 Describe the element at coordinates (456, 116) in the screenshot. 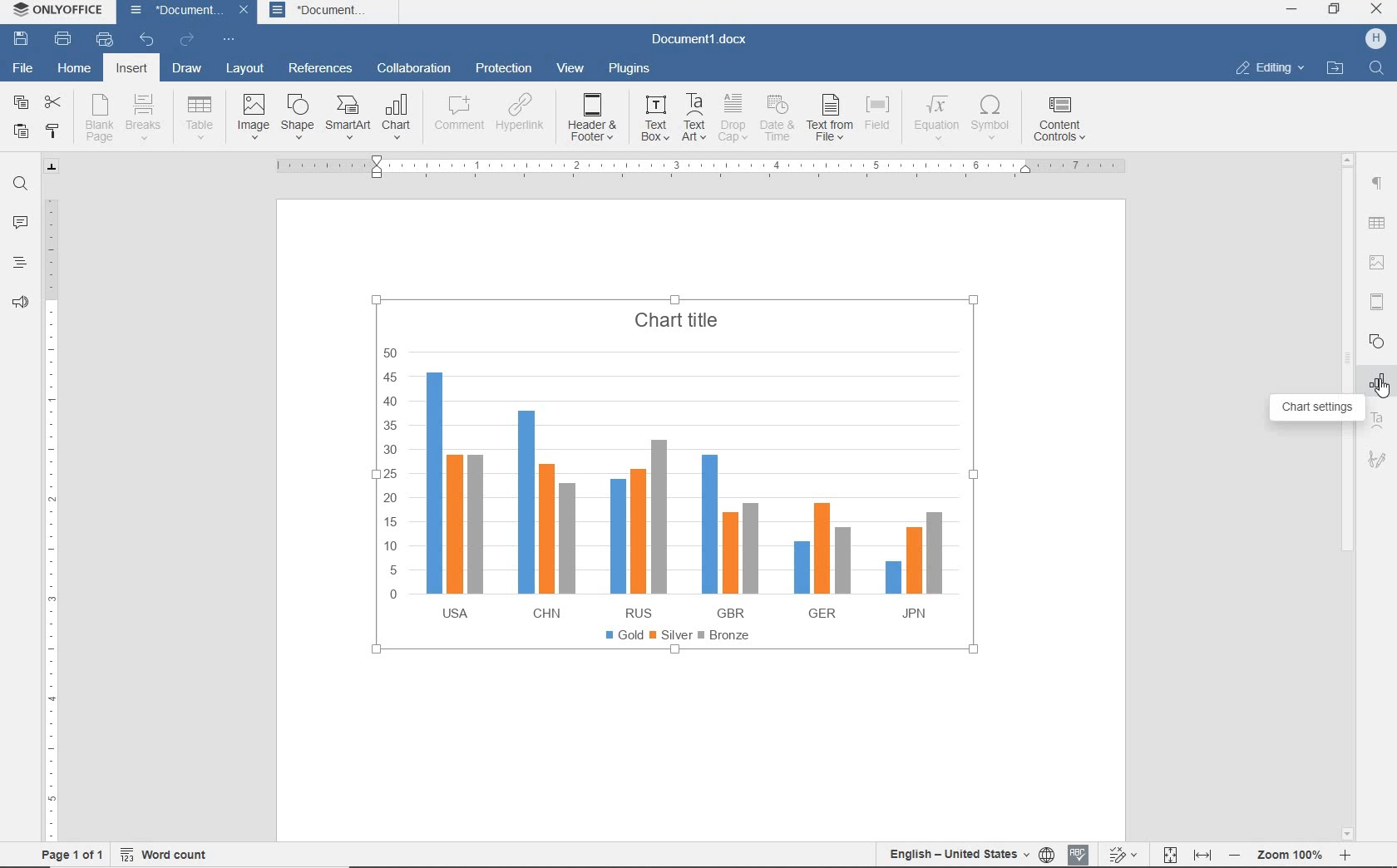

I see `comment` at that location.